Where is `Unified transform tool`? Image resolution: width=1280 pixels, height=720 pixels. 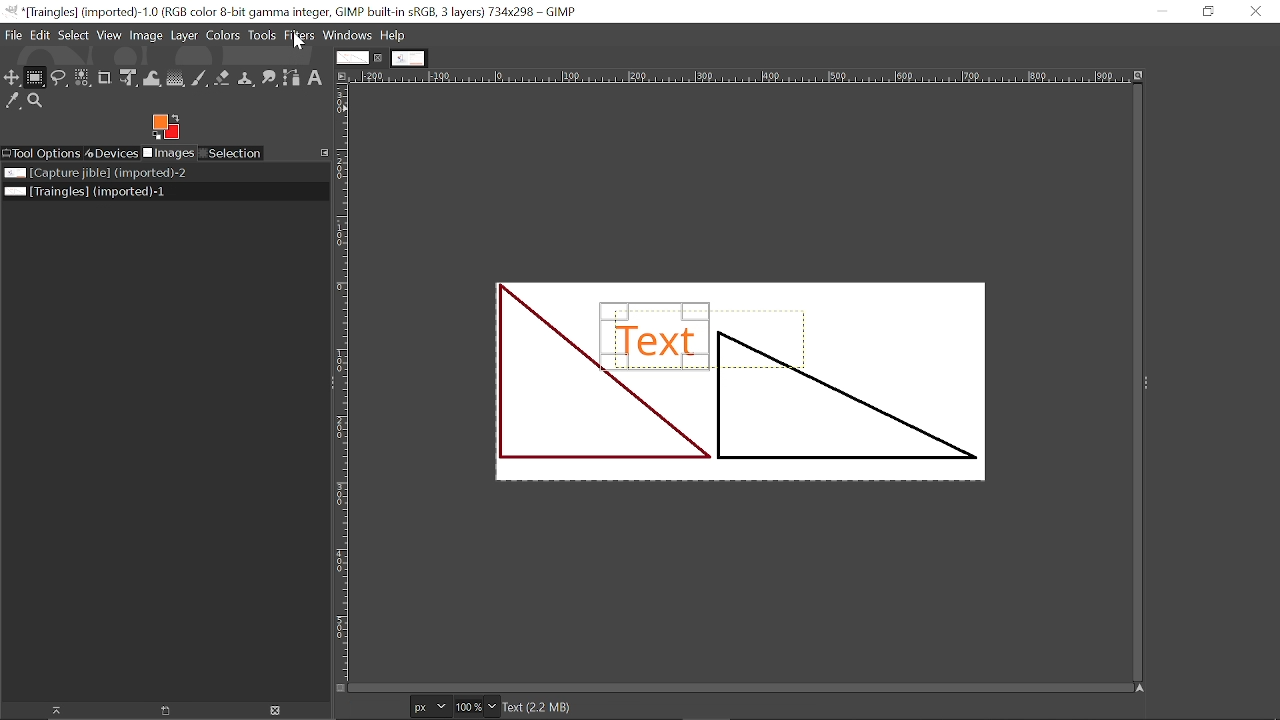 Unified transform tool is located at coordinates (128, 77).